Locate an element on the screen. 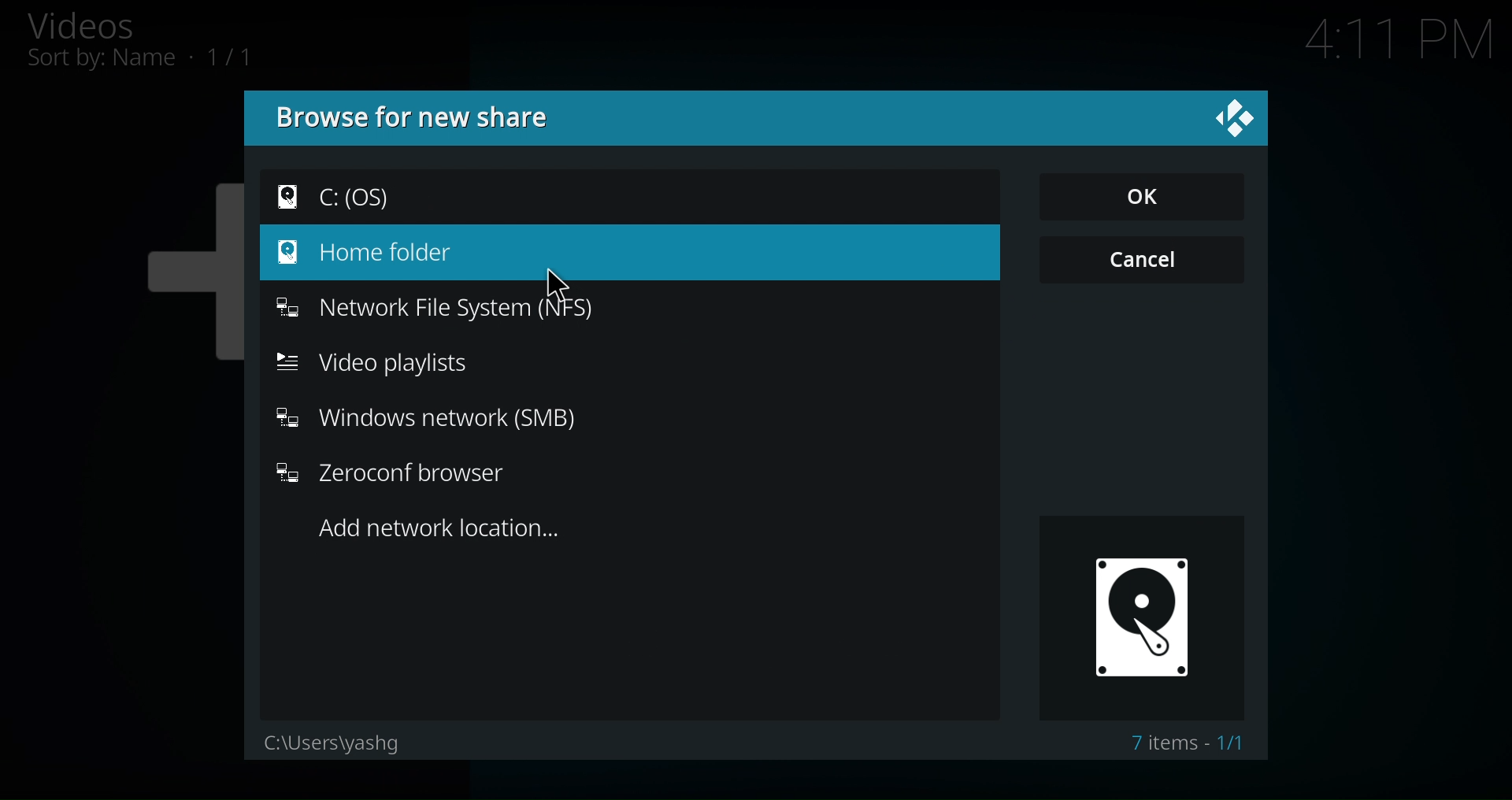 The width and height of the screenshot is (1512, 800). OK is located at coordinates (1139, 196).